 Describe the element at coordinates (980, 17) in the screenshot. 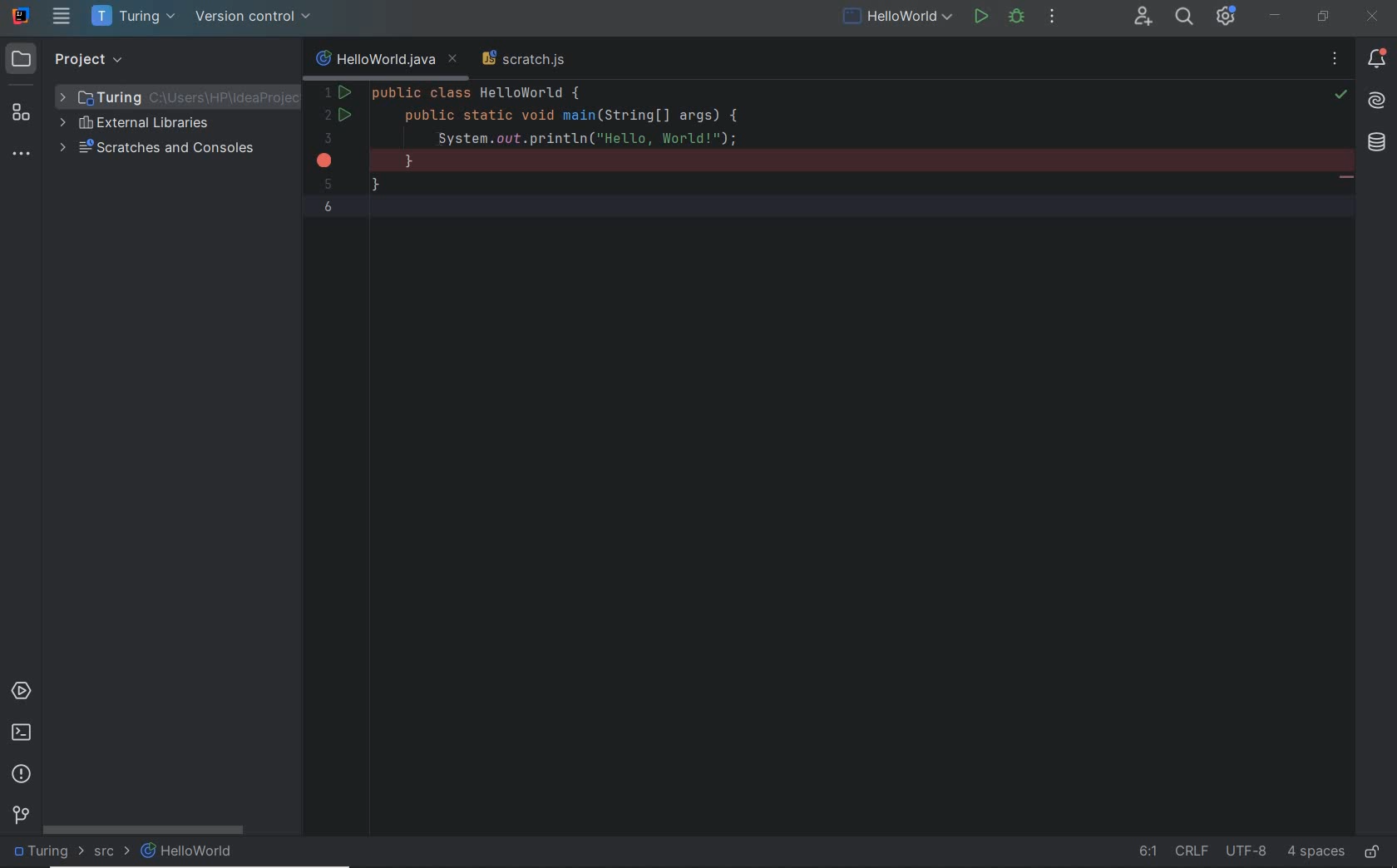

I see `run` at that location.